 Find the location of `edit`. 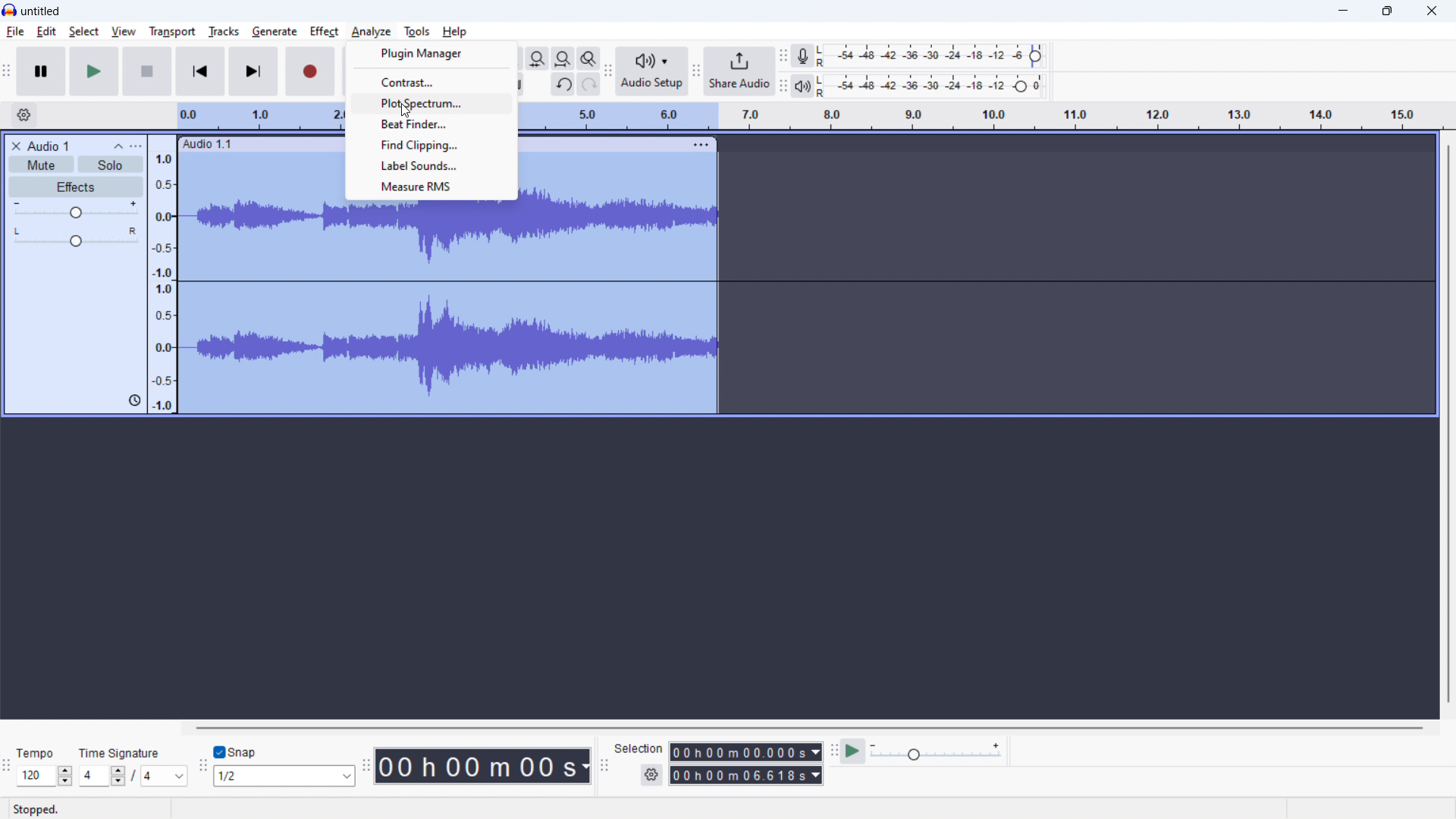

edit is located at coordinates (47, 32).